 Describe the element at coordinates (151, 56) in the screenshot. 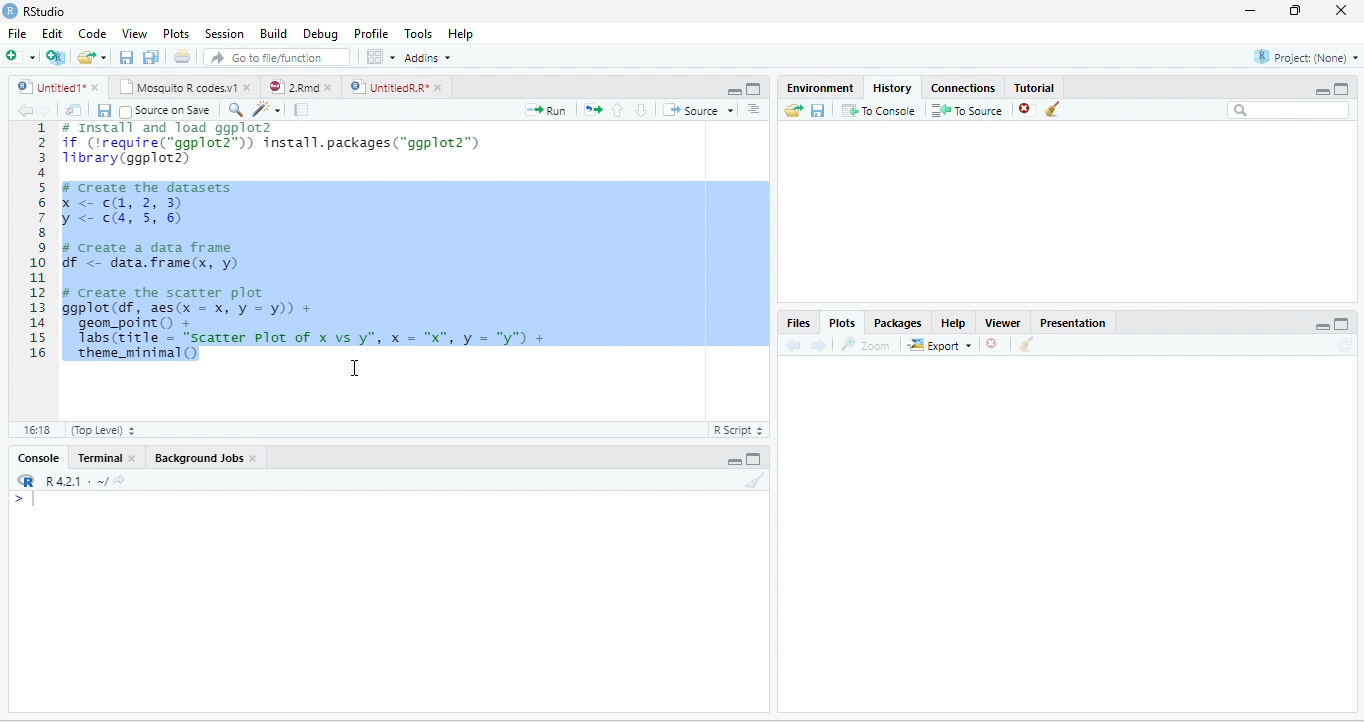

I see `Save all open documents` at that location.